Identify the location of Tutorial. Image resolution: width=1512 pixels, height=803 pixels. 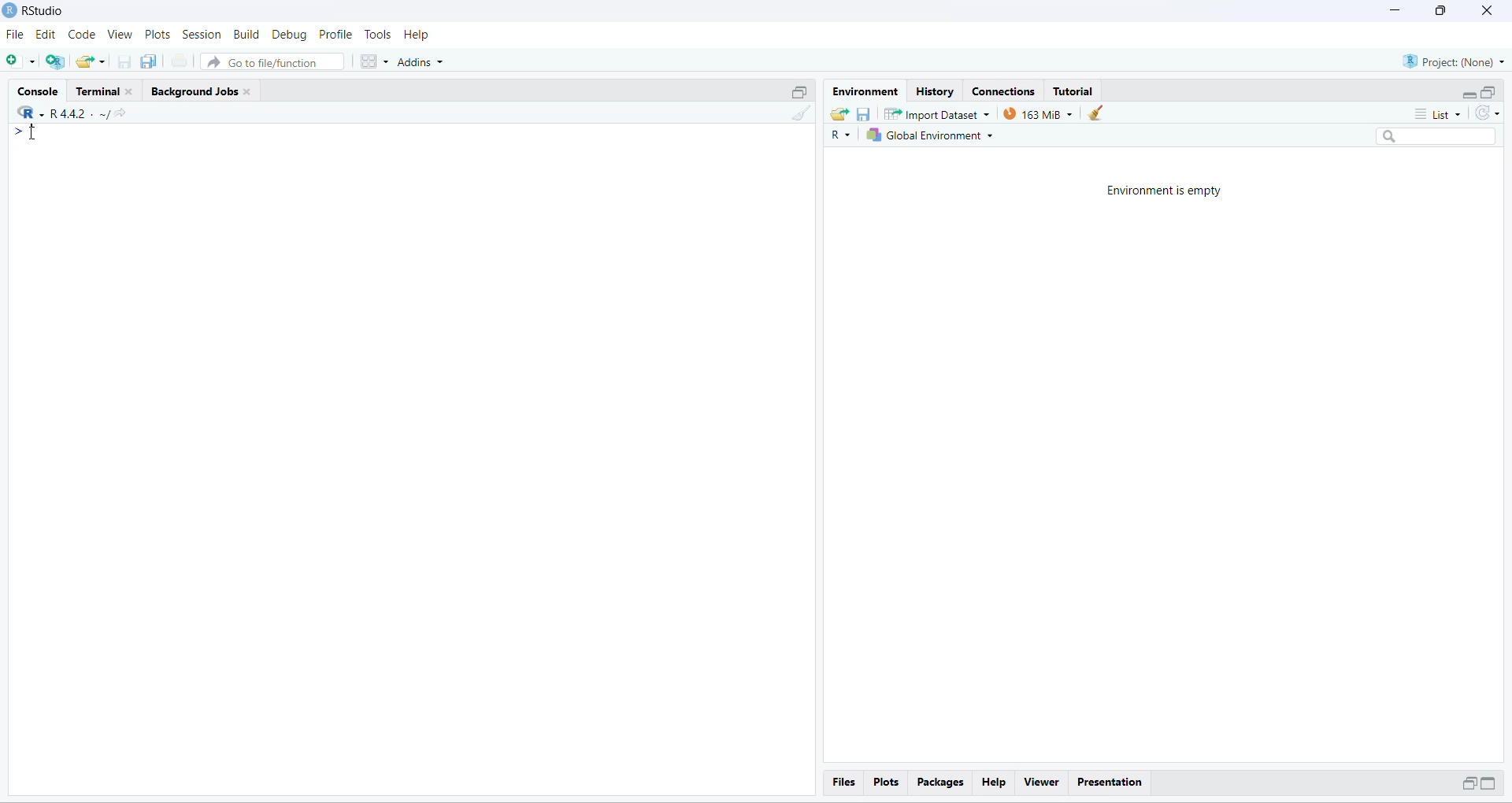
(1073, 91).